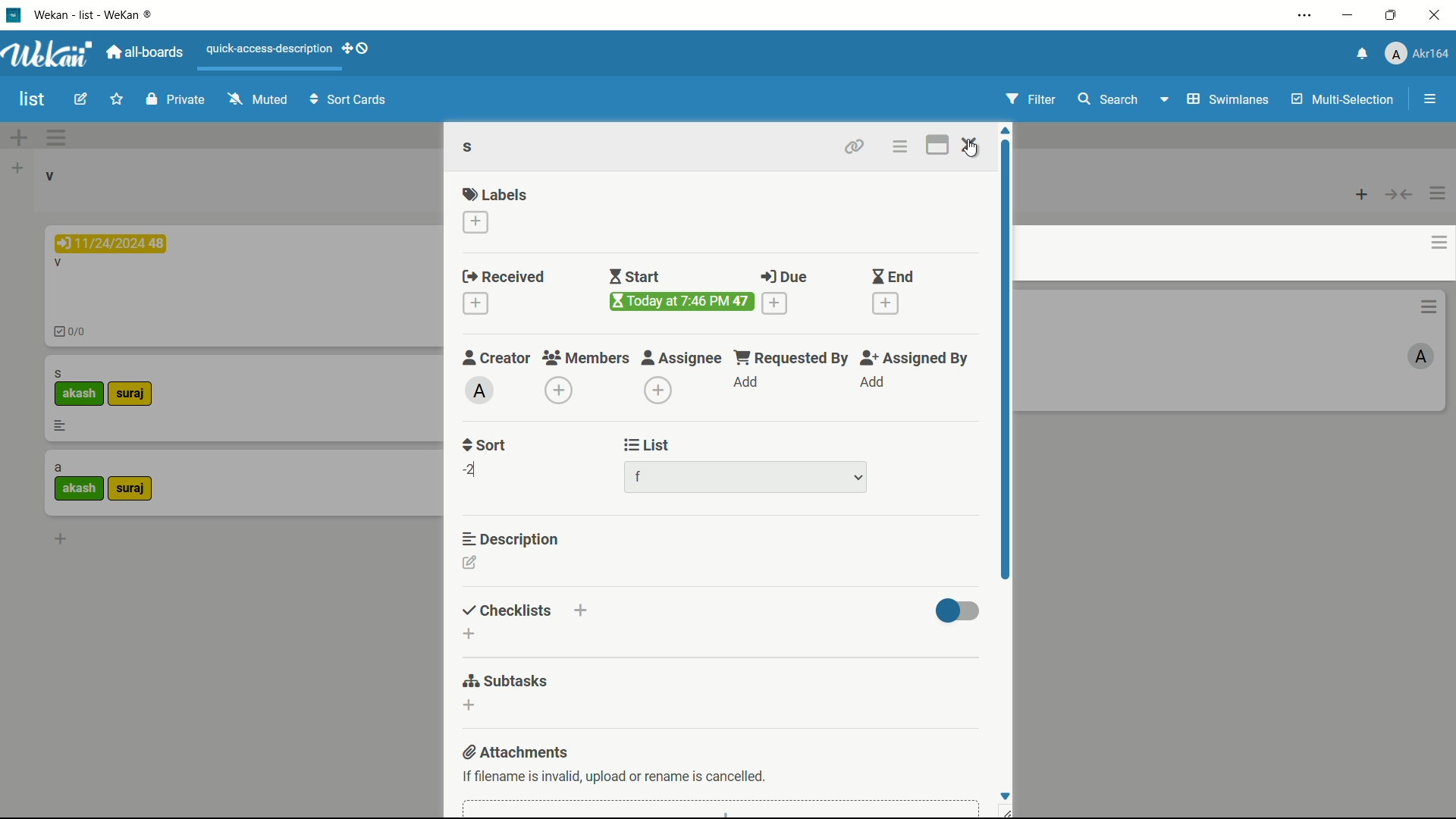 Image resolution: width=1456 pixels, height=819 pixels. What do you see at coordinates (271, 49) in the screenshot?
I see `quick-access-description` at bounding box center [271, 49].